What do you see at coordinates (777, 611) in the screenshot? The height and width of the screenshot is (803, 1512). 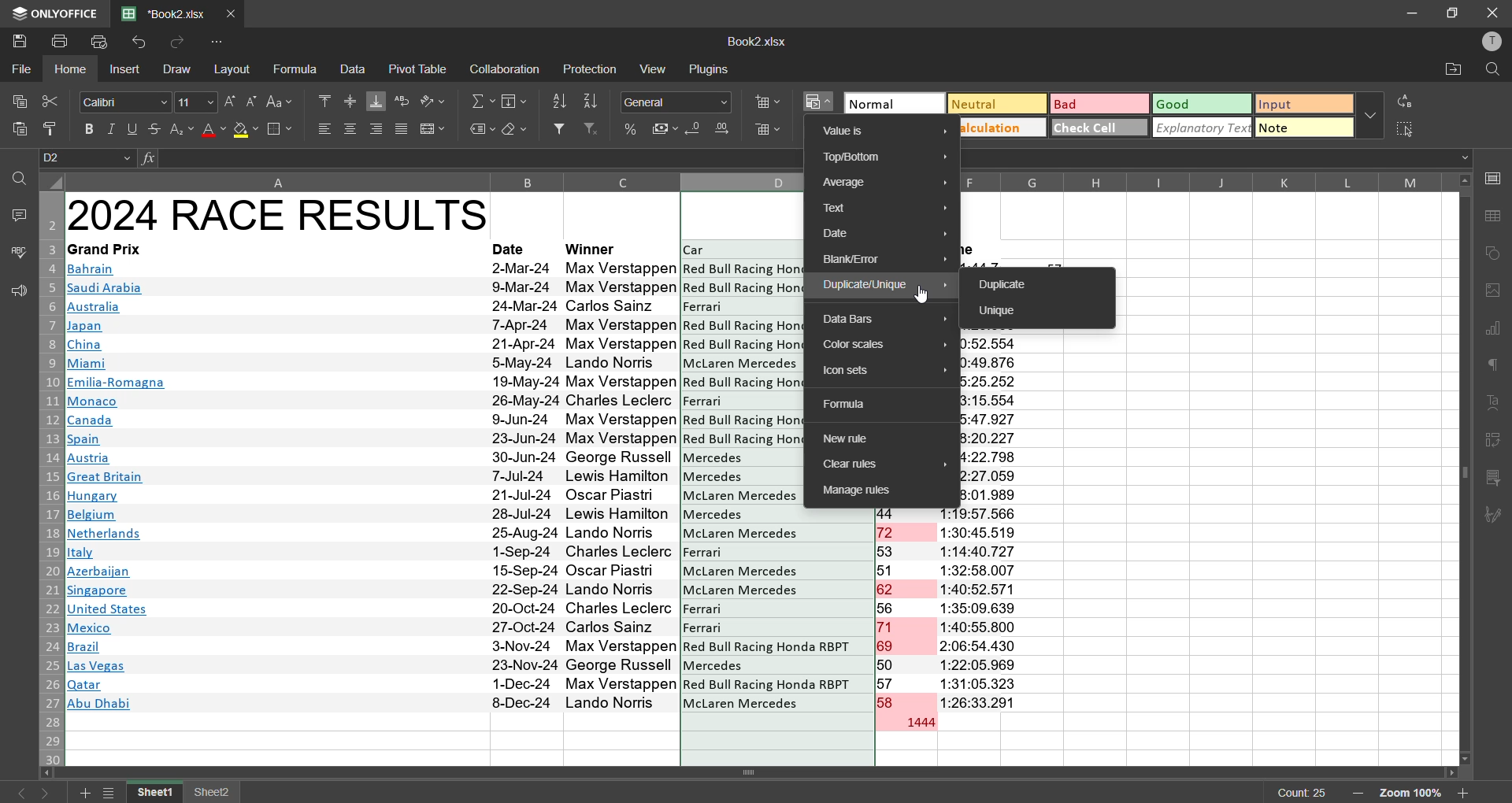 I see `car name` at bounding box center [777, 611].